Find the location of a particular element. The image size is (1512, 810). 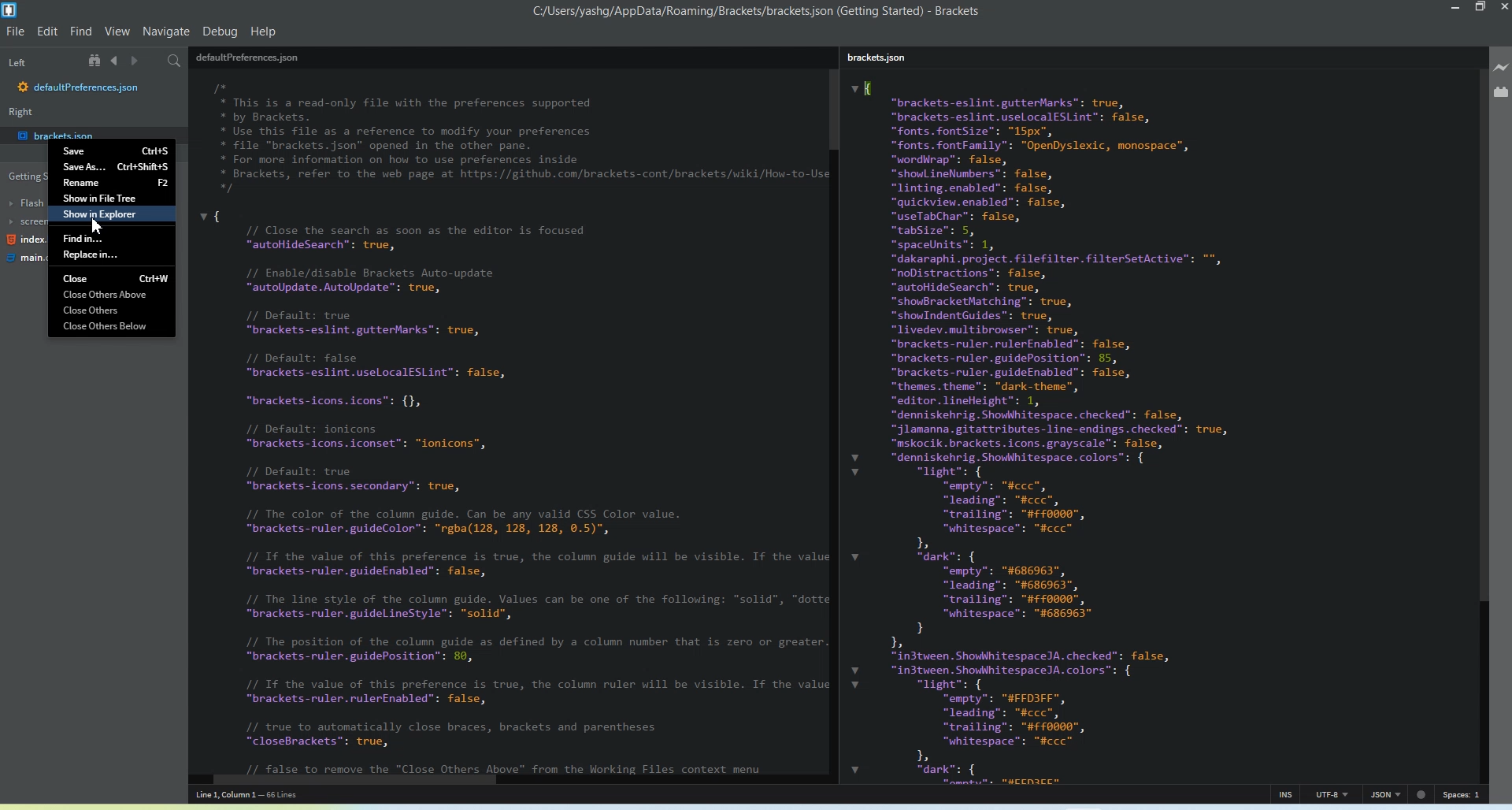

errors is located at coordinates (1423, 793).